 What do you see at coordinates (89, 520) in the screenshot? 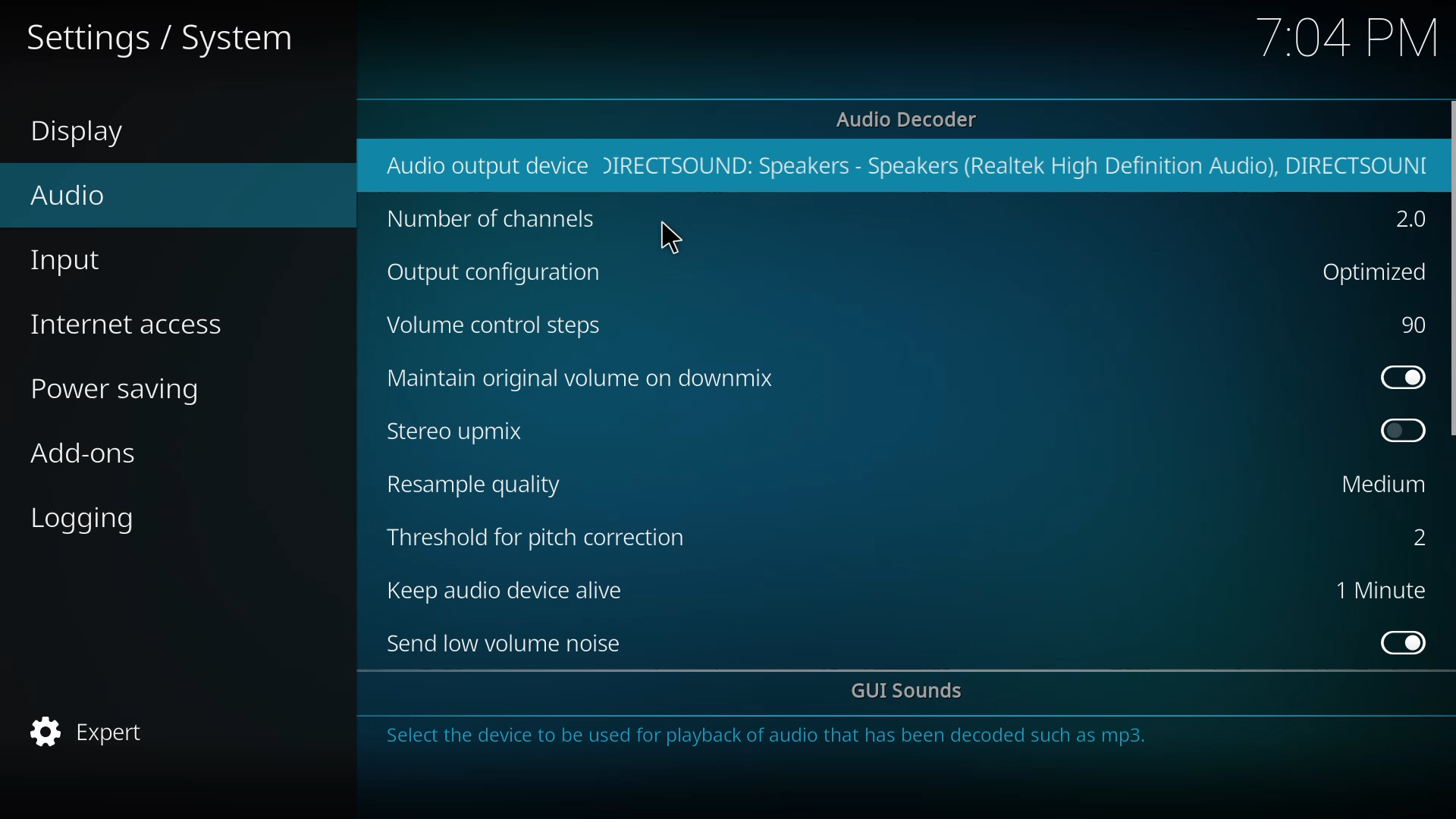
I see `logging` at bounding box center [89, 520].